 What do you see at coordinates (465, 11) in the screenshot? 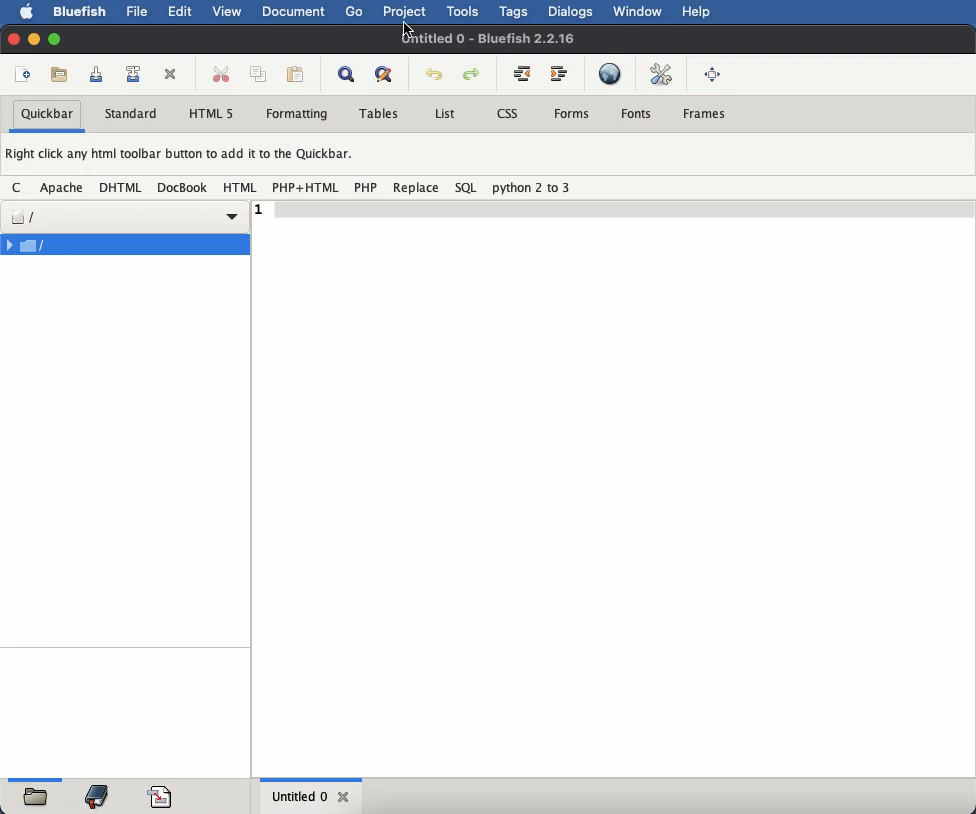
I see `tools` at bounding box center [465, 11].